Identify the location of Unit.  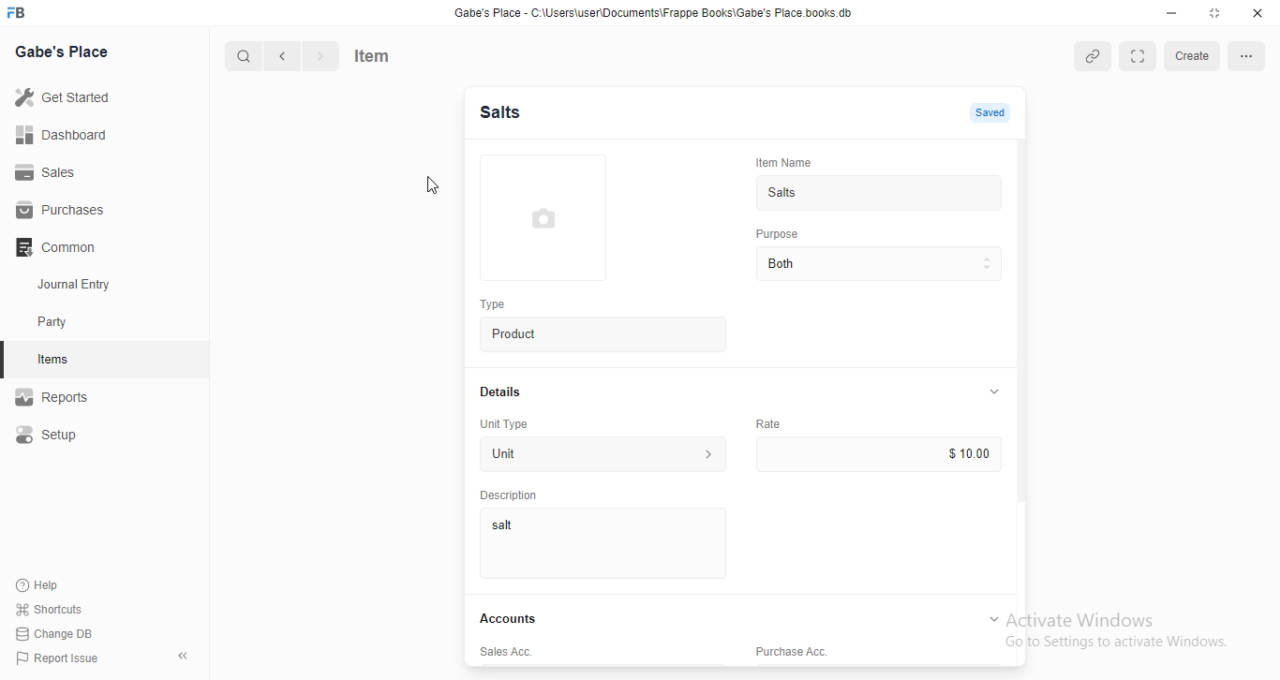
(507, 451).